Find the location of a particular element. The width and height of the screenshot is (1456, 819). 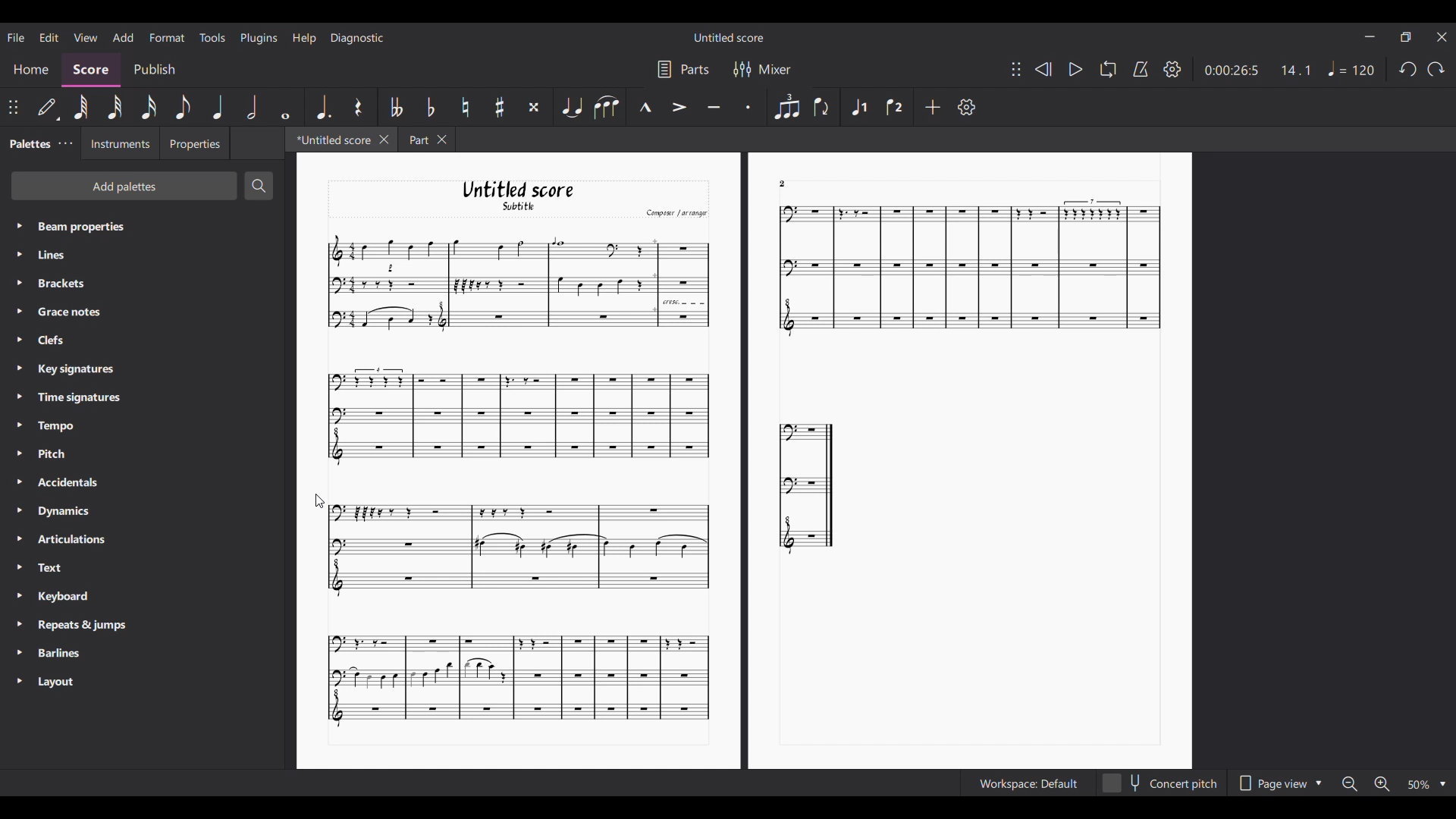

Whole note is located at coordinates (286, 108).